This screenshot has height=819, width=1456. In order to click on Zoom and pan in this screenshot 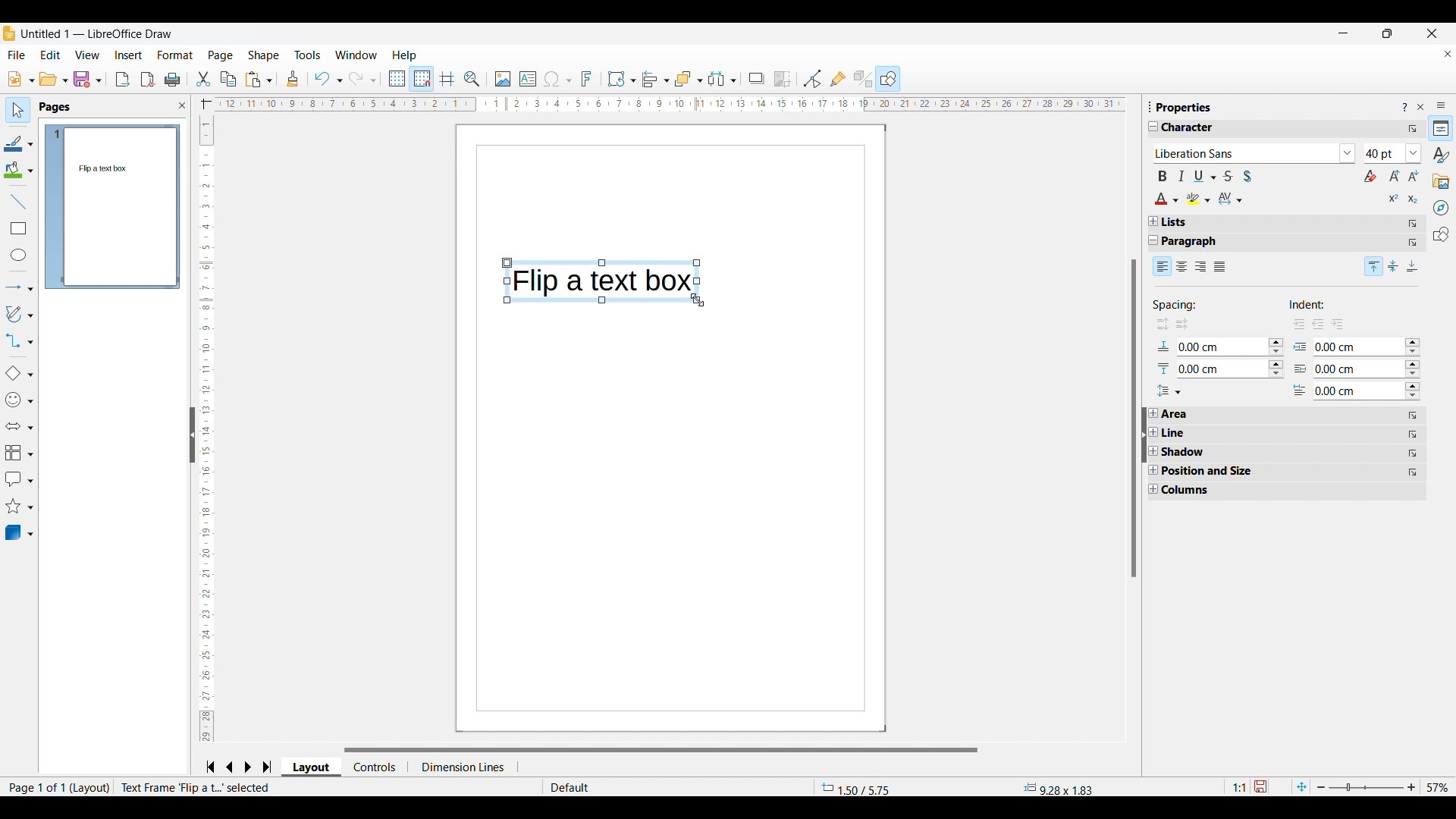, I will do `click(472, 80)`.